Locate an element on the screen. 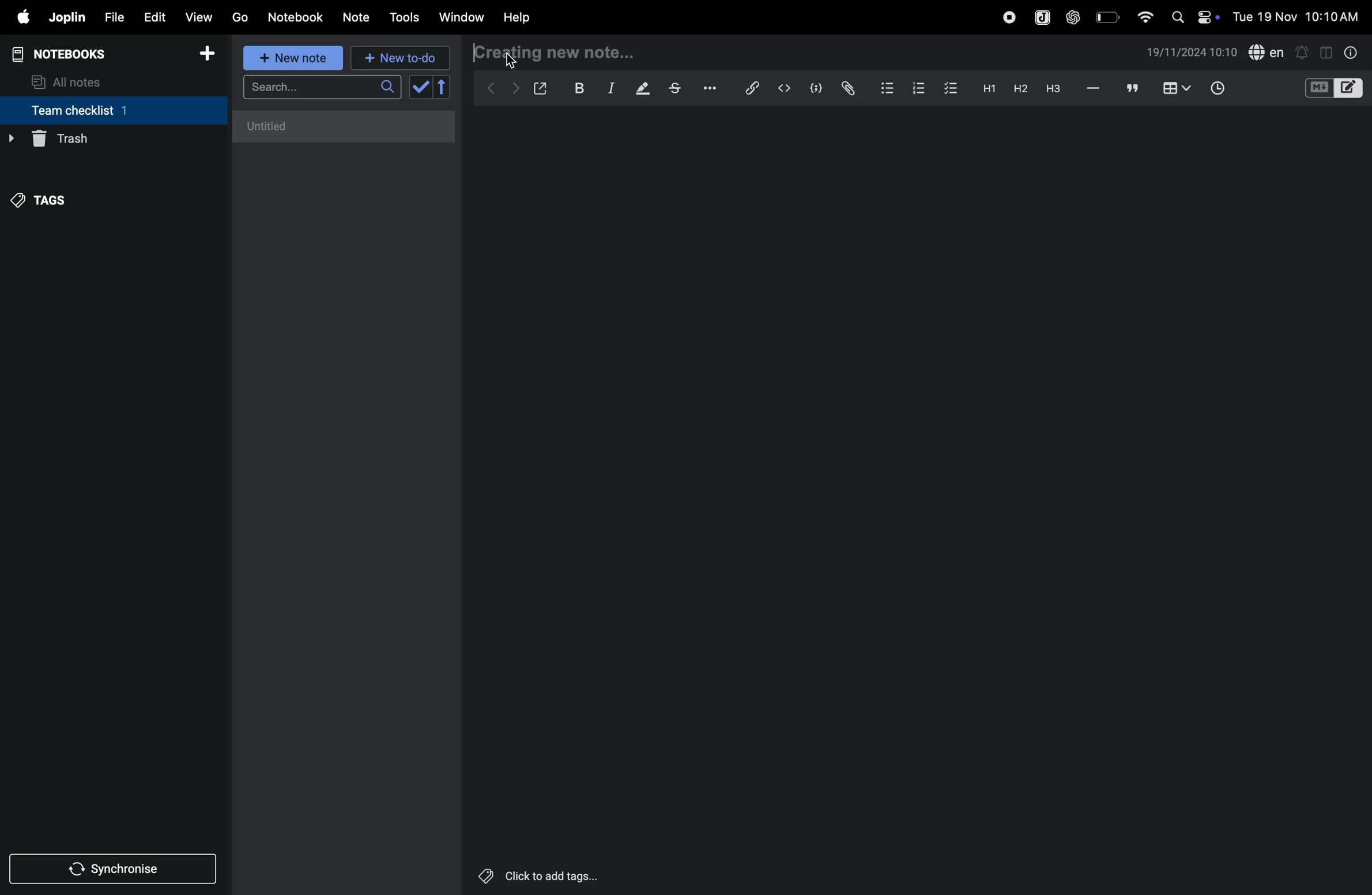 The image size is (1372, 895). synchronize is located at coordinates (115, 868).